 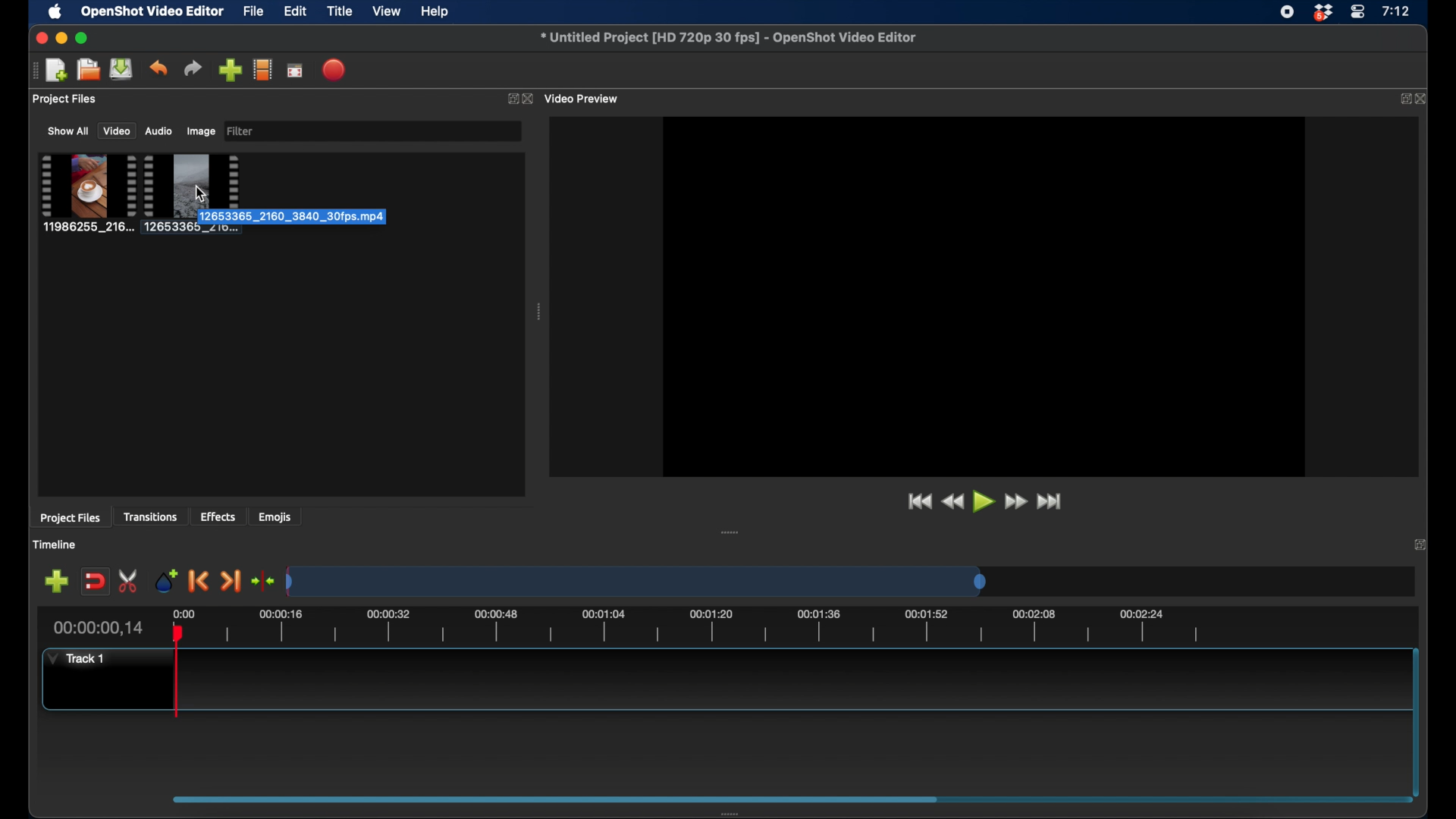 What do you see at coordinates (67, 130) in the screenshot?
I see `show all` at bounding box center [67, 130].